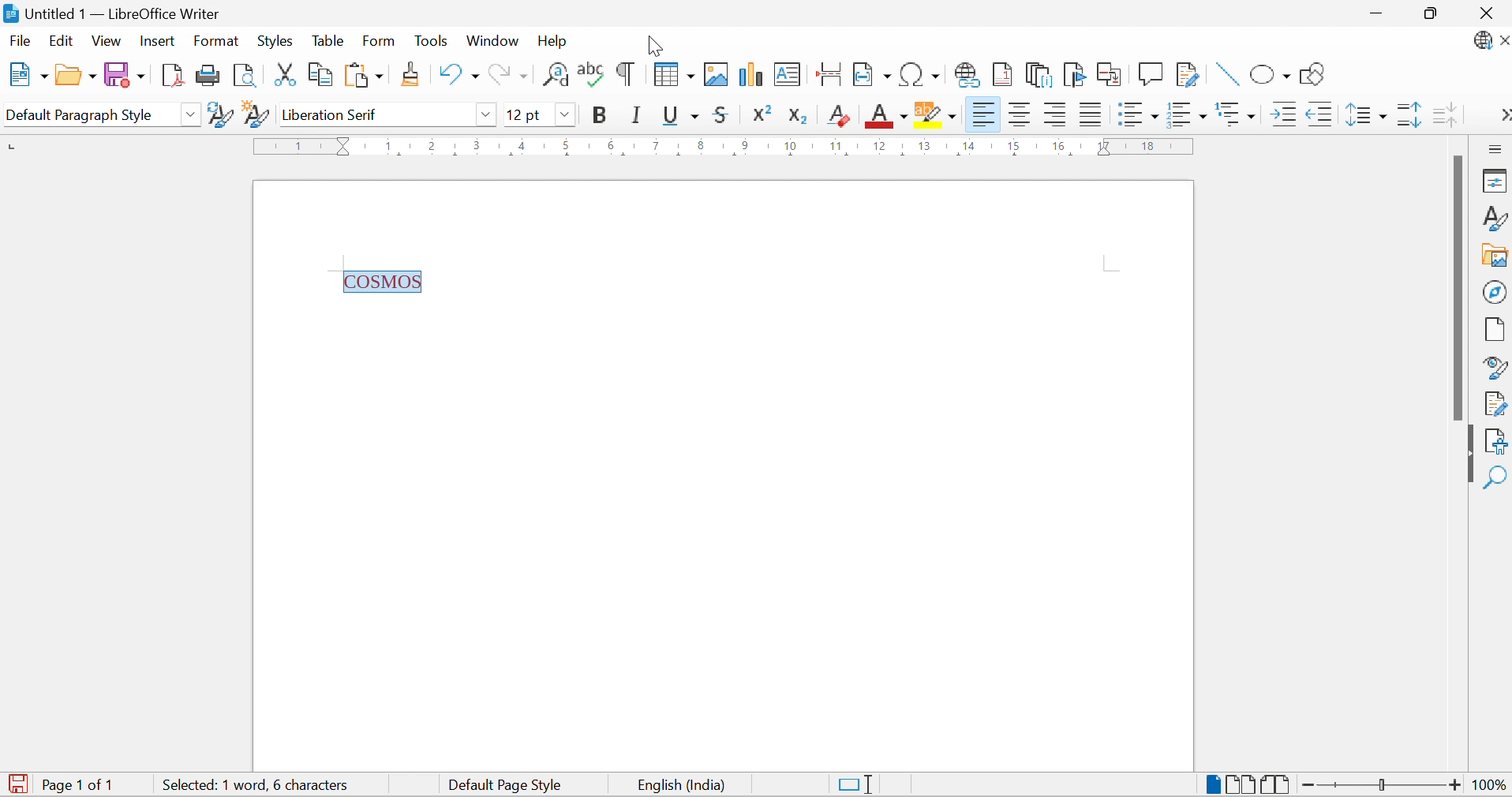 The width and height of the screenshot is (1512, 797). I want to click on Style Inspector, so click(1496, 368).